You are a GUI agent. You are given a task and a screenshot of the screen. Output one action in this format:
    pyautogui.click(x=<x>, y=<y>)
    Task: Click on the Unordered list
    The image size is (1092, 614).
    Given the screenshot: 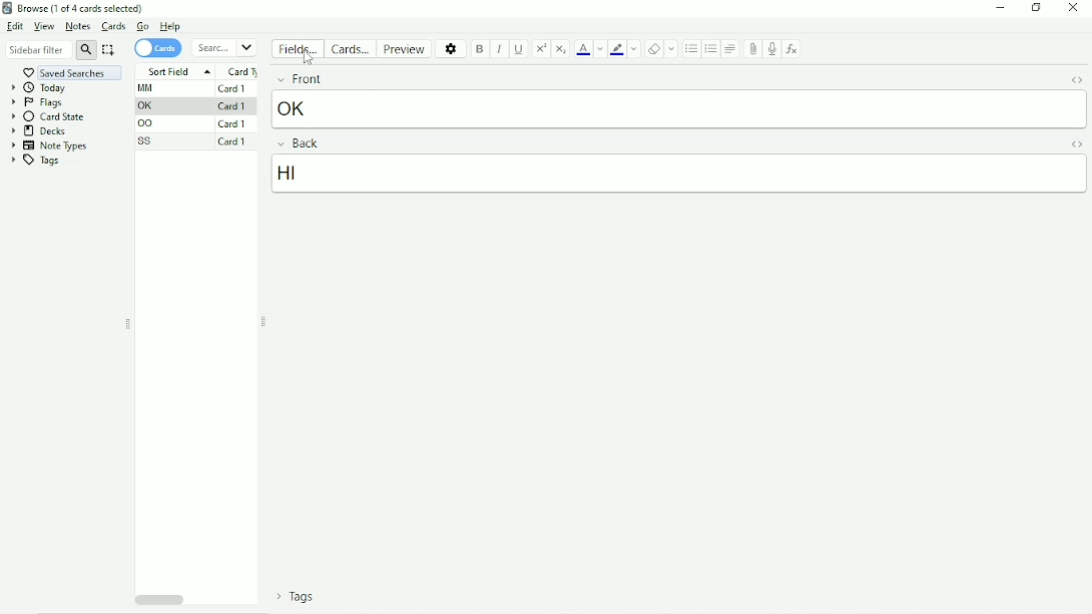 What is the action you would take?
    pyautogui.click(x=691, y=49)
    